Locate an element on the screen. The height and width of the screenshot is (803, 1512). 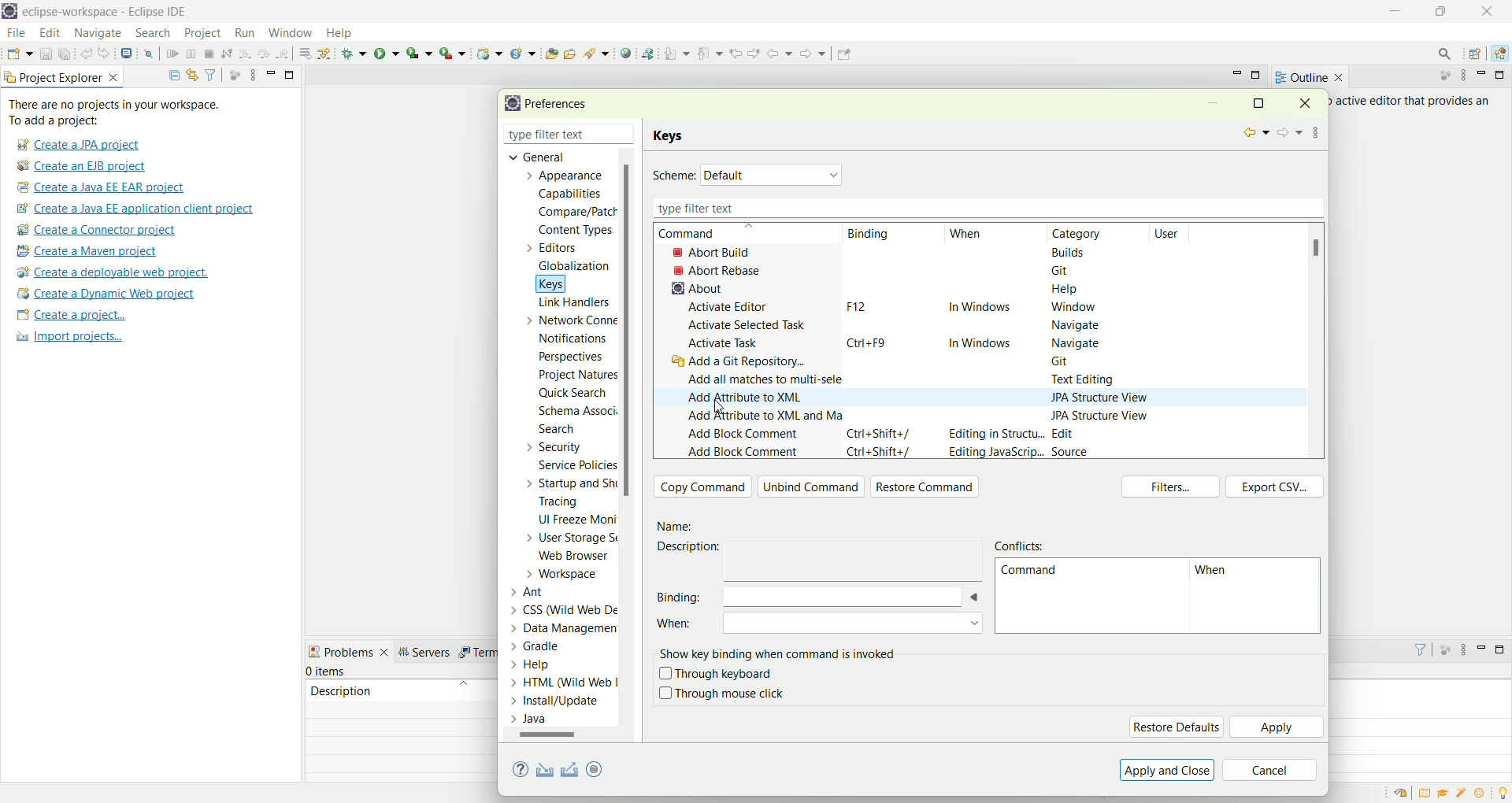
restore command is located at coordinates (929, 488).